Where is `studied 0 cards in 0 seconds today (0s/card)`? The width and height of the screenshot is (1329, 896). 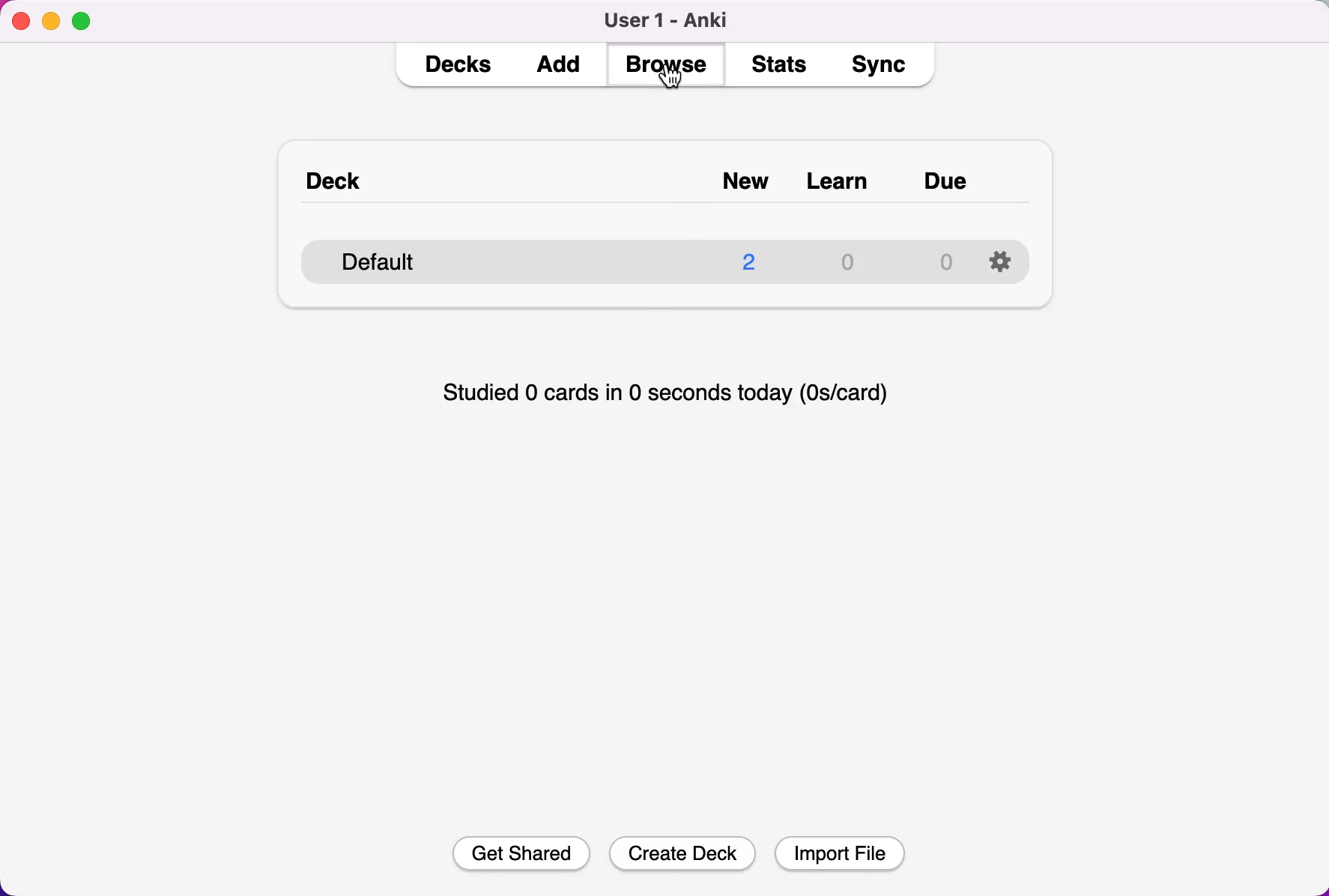
studied 0 cards in 0 seconds today (0s/card) is located at coordinates (669, 400).